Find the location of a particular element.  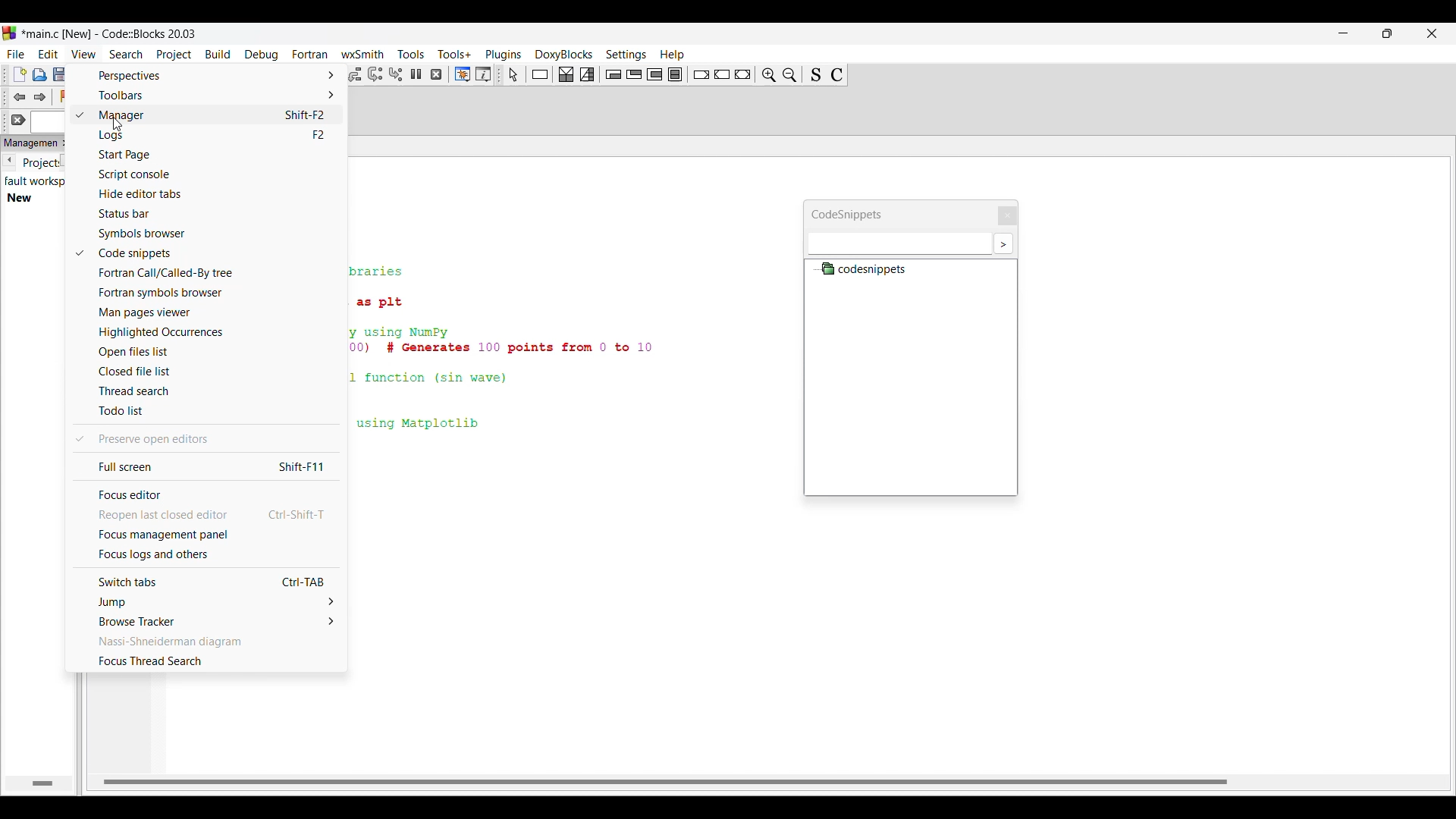

Software logo is located at coordinates (9, 33).